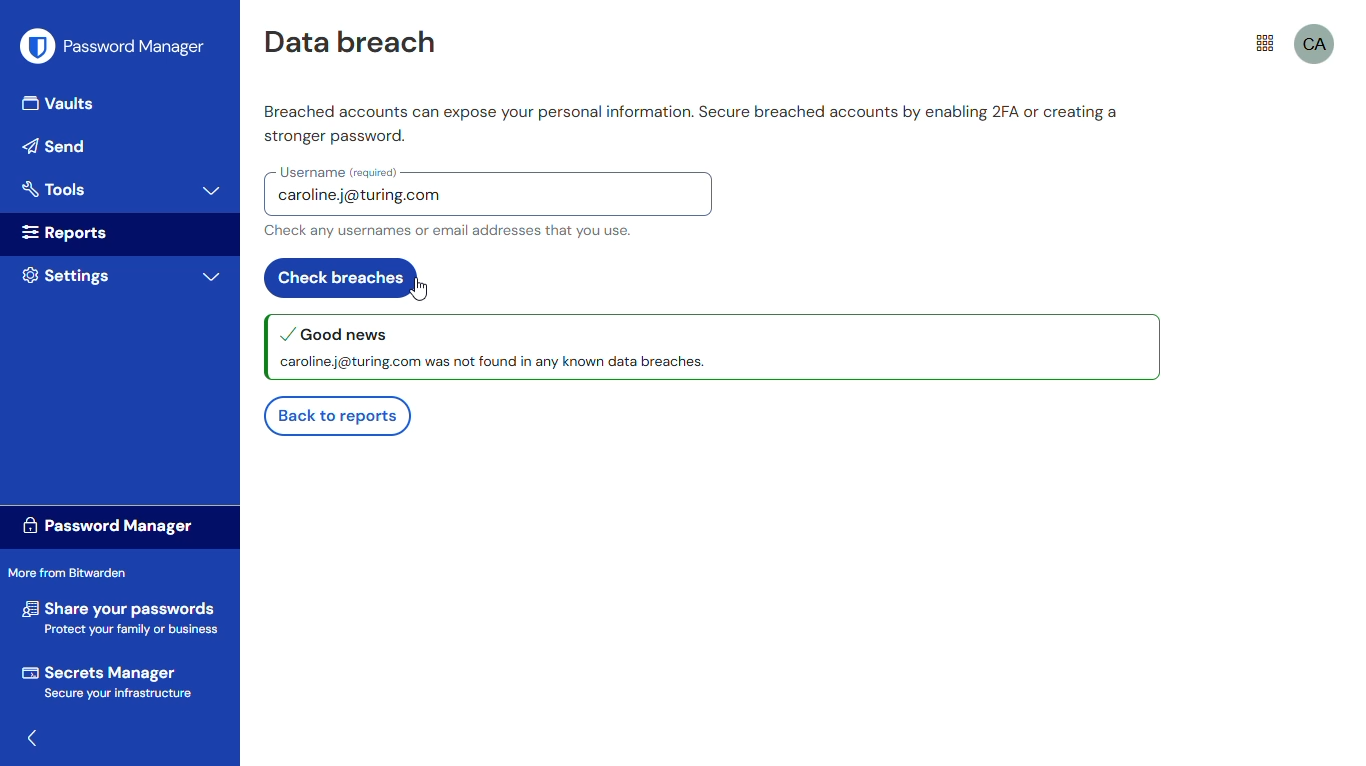  What do you see at coordinates (364, 198) in the screenshot?
I see `caroline.j@turing.com` at bounding box center [364, 198].